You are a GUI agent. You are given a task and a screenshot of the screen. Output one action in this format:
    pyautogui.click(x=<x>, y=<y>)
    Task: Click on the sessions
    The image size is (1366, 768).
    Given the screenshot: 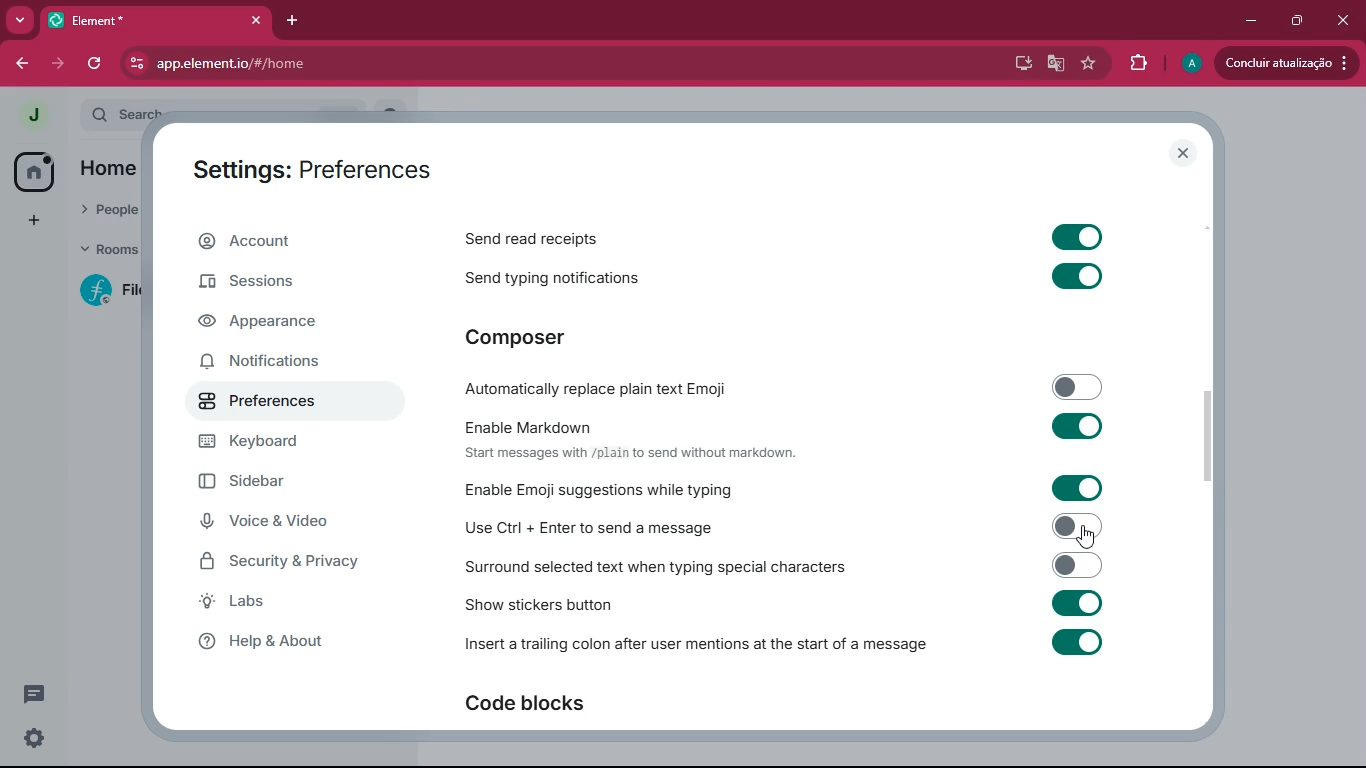 What is the action you would take?
    pyautogui.click(x=283, y=284)
    